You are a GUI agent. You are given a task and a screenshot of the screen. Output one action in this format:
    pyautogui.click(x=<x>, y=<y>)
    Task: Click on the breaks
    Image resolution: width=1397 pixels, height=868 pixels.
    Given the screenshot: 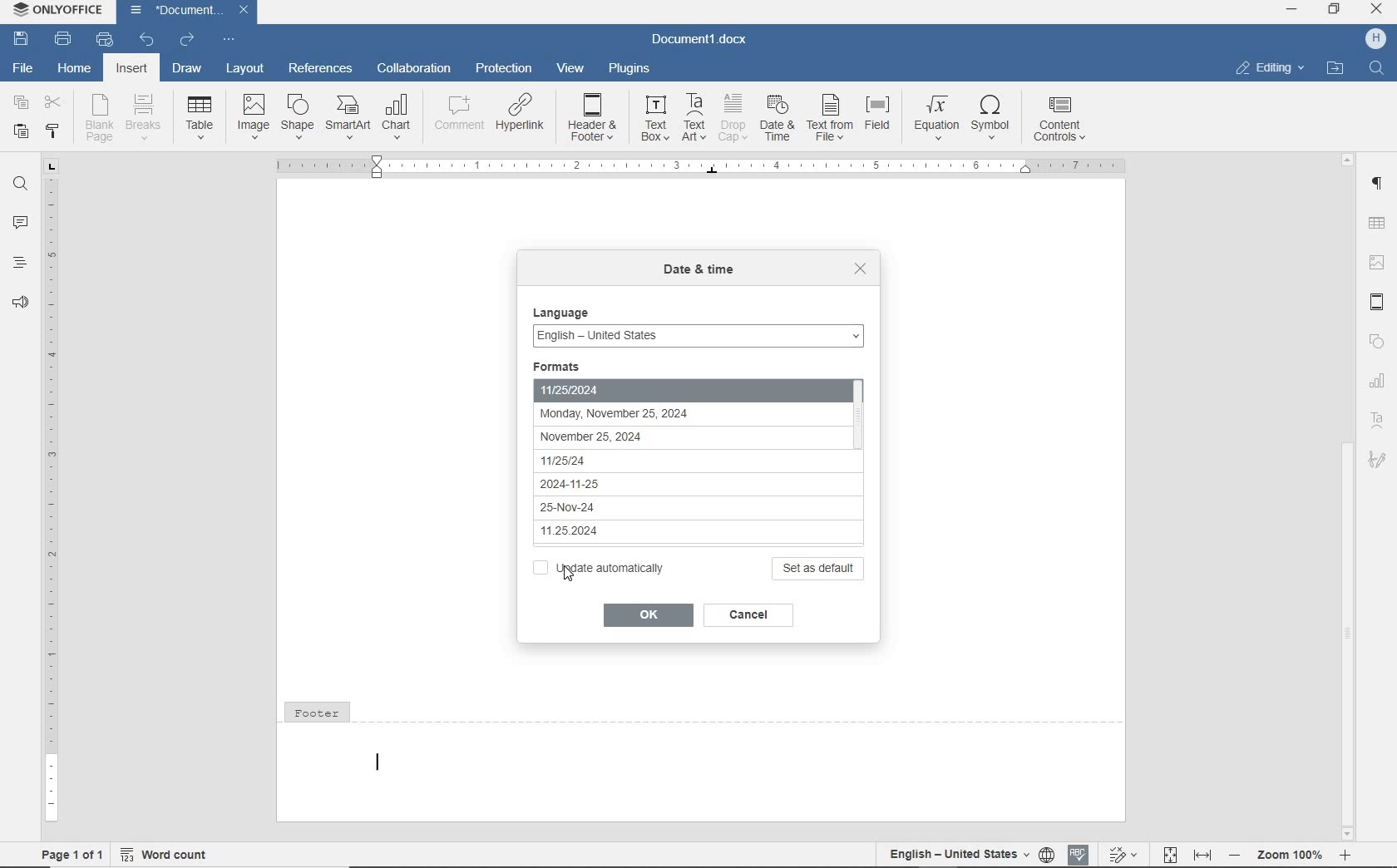 What is the action you would take?
    pyautogui.click(x=146, y=118)
    